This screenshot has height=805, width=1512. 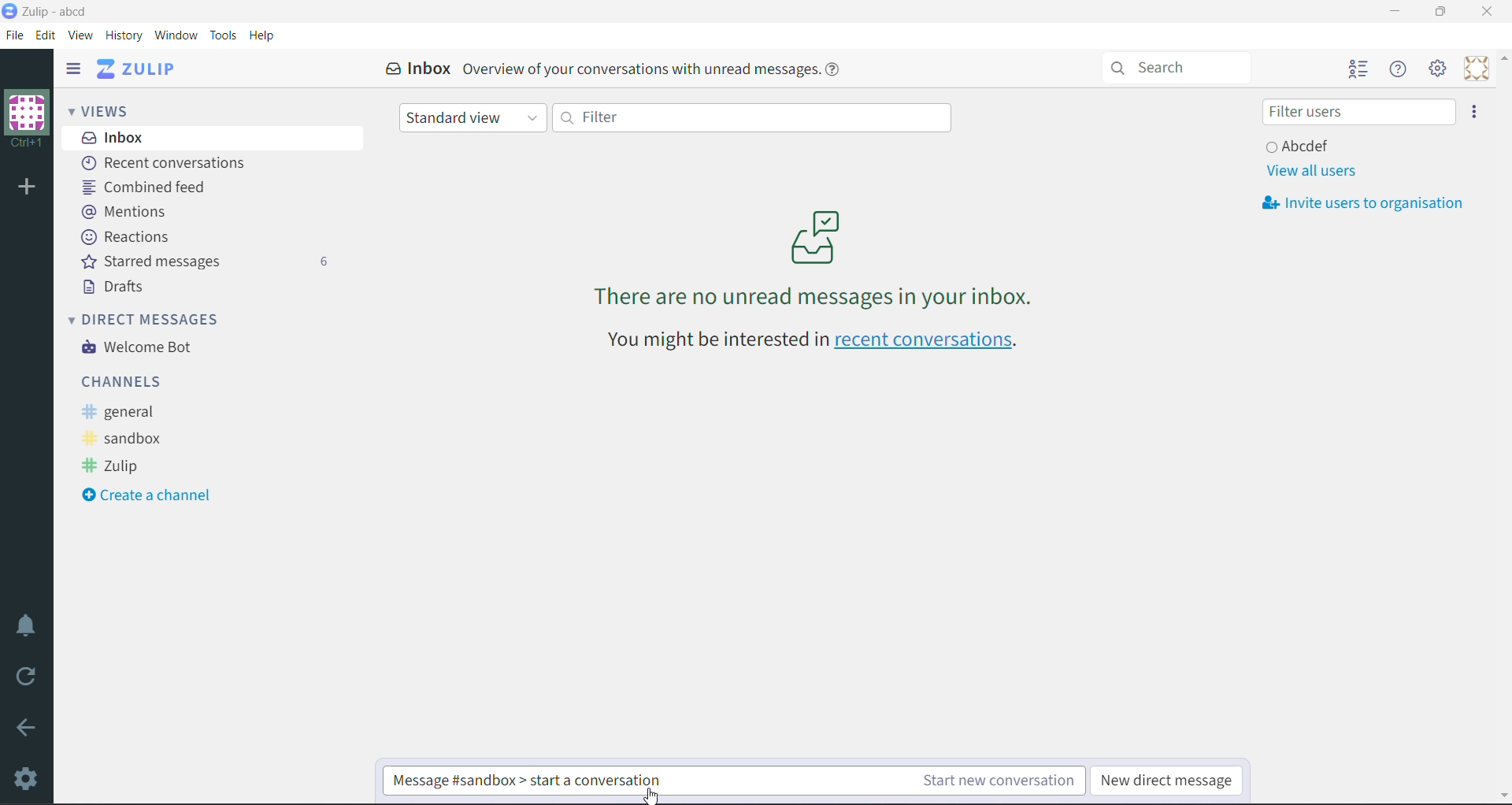 I want to click on Settings, so click(x=28, y=778).